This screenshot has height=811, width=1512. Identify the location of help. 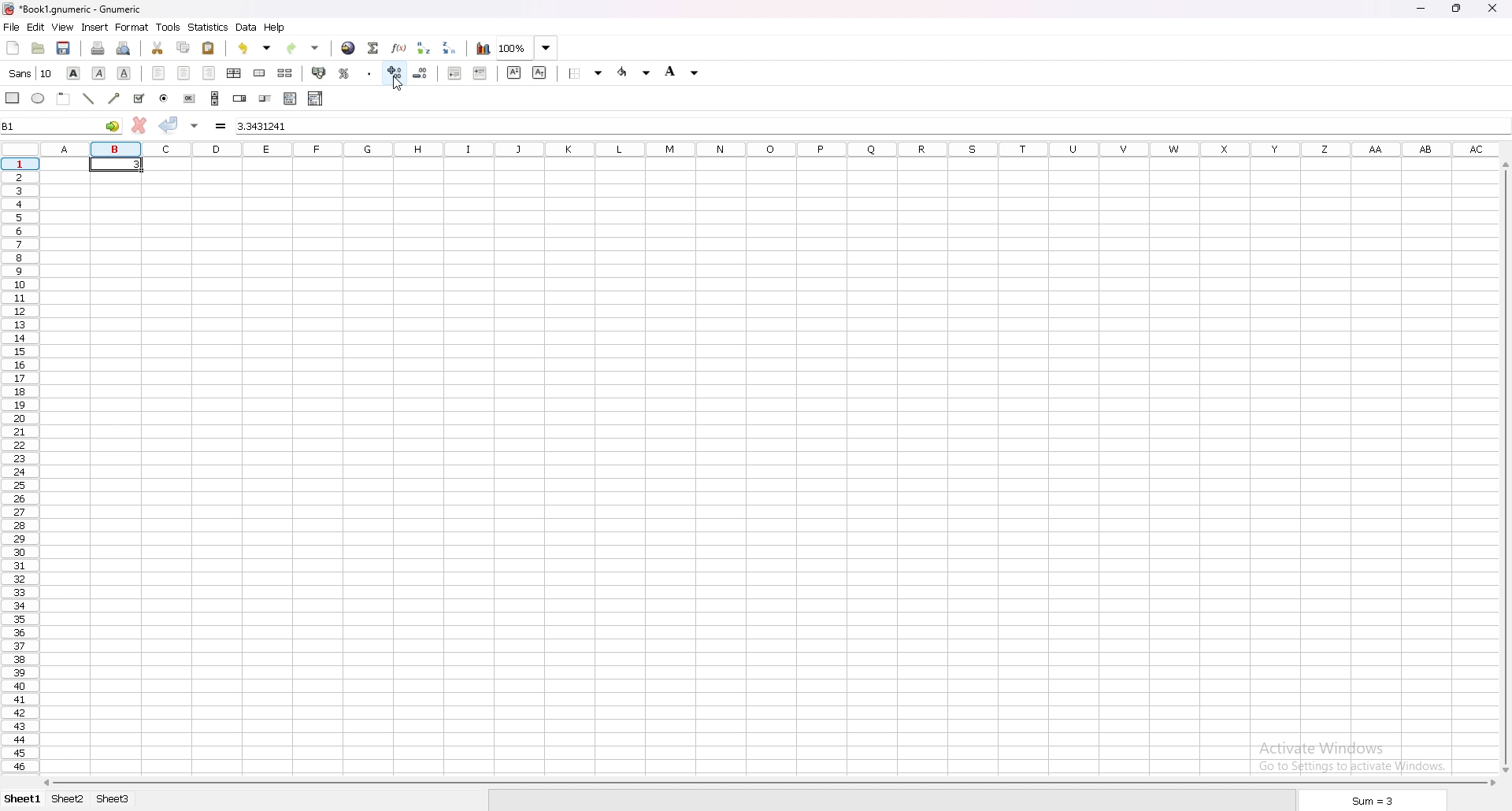
(276, 28).